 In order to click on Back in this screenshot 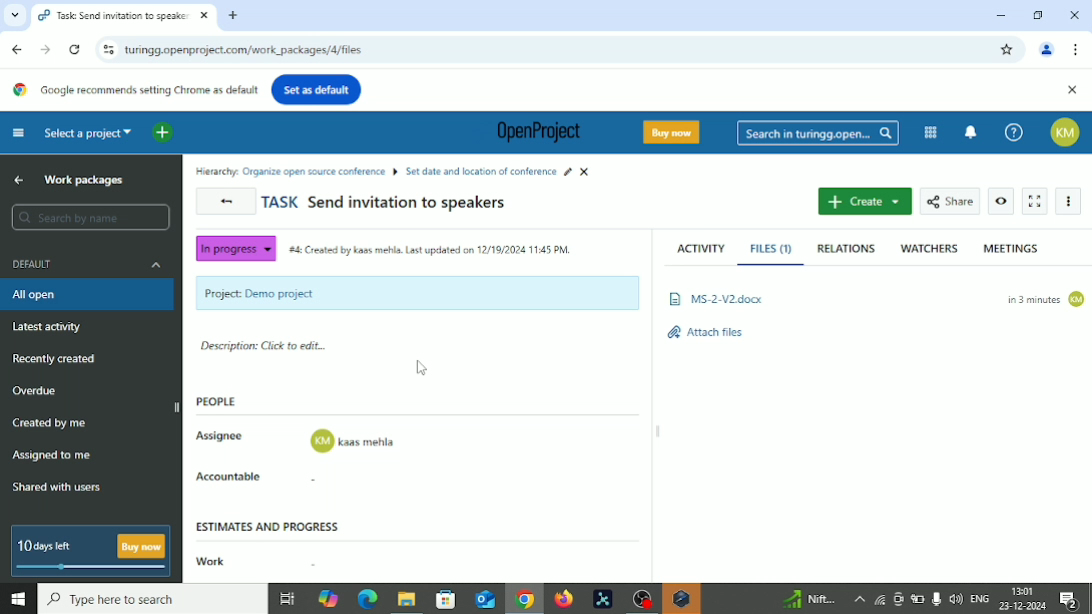, I will do `click(227, 202)`.